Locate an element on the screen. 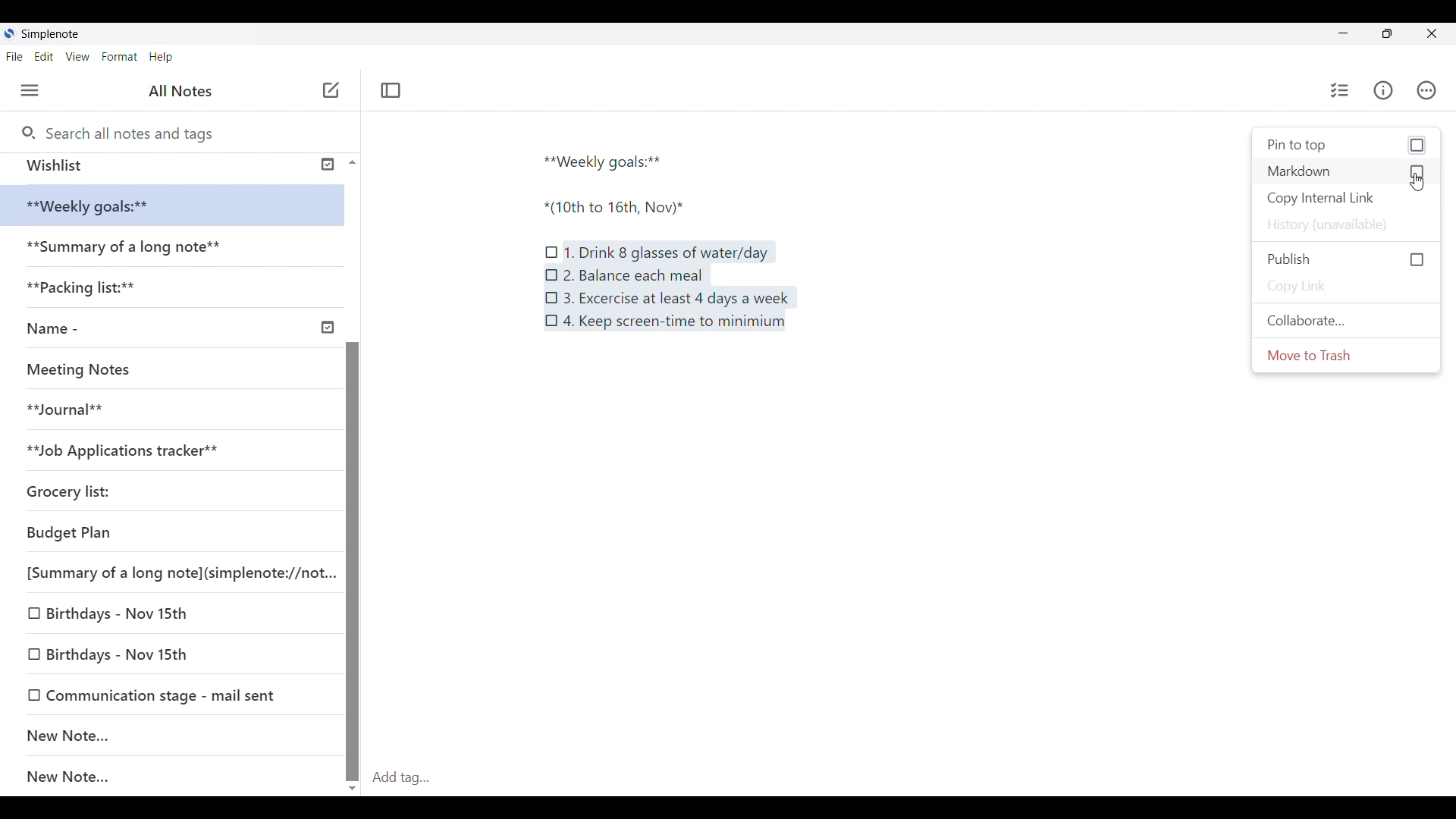 The width and height of the screenshot is (1456, 819). Meeting Notes is located at coordinates (85, 367).